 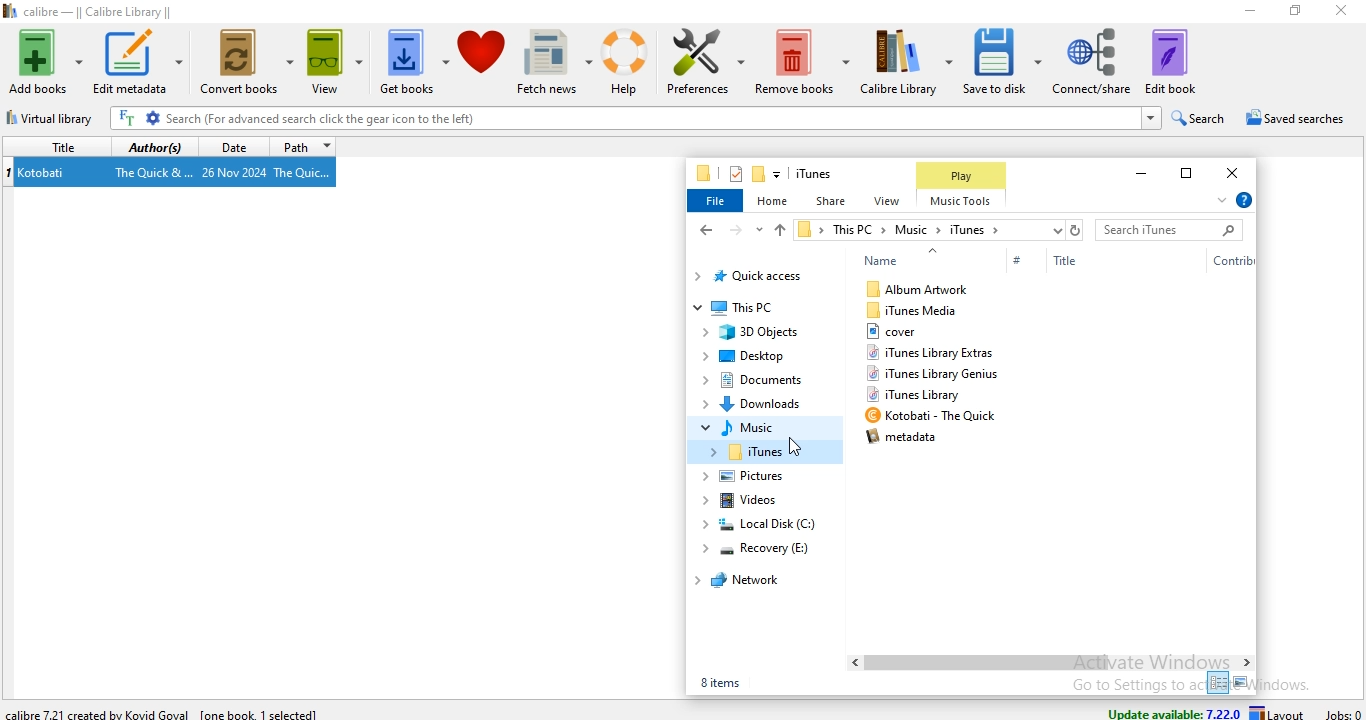 I want to click on help, so click(x=1243, y=200).